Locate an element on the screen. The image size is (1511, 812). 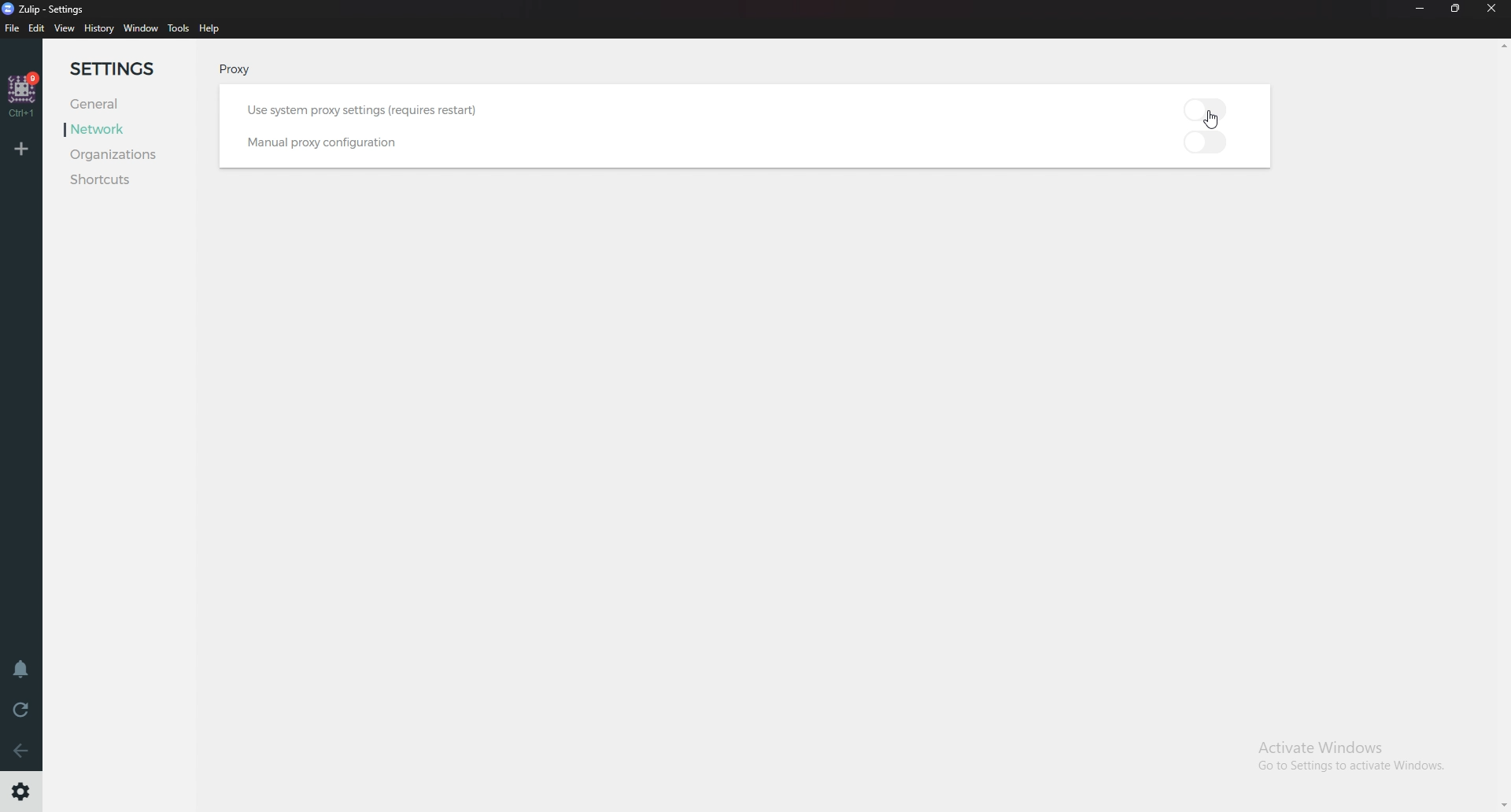
Organizations is located at coordinates (131, 155).